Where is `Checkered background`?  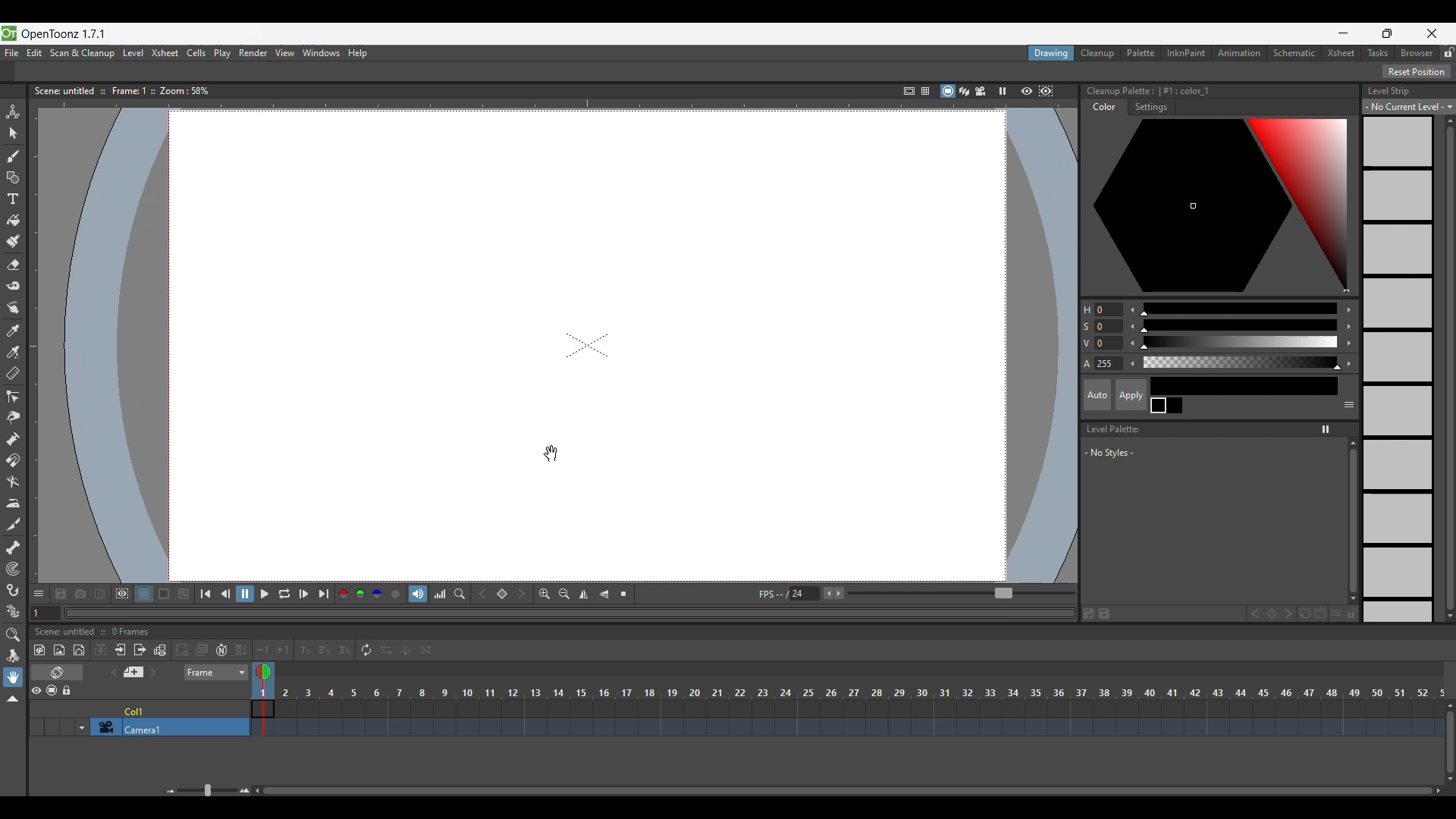
Checkered background is located at coordinates (184, 594).